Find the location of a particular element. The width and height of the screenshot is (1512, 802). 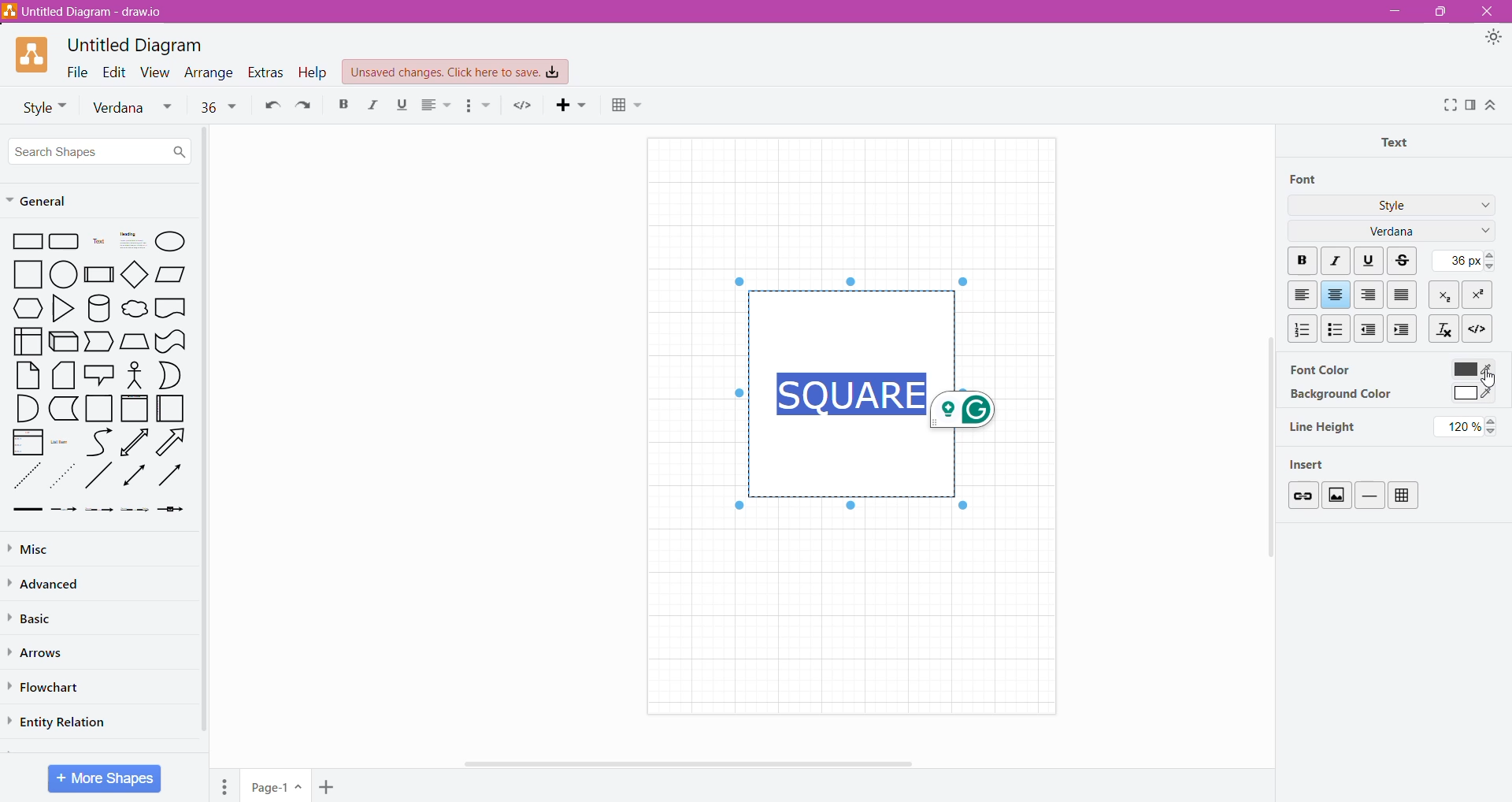

Block is located at coordinates (1403, 294).